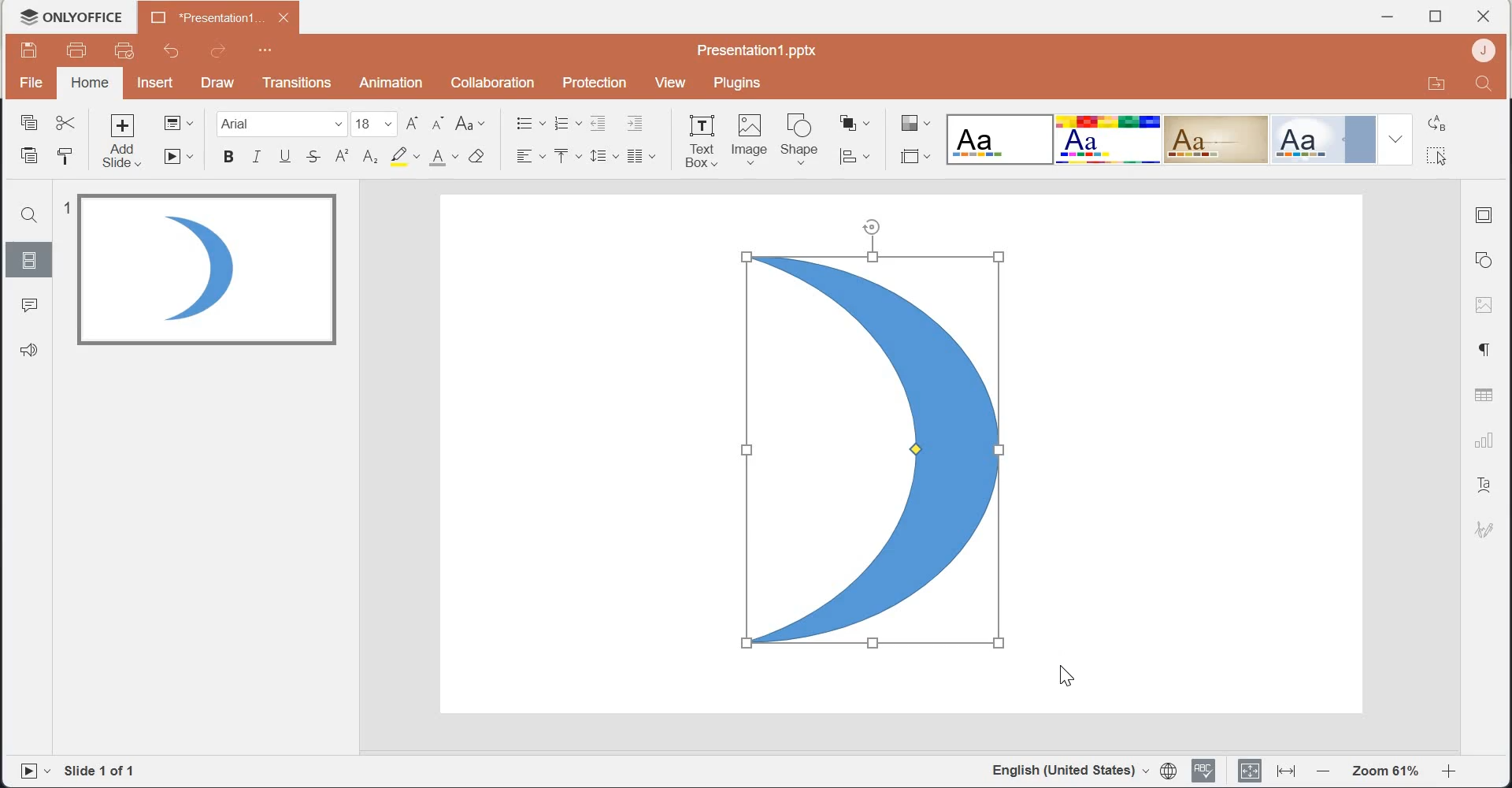 Image resolution: width=1512 pixels, height=788 pixels. I want to click on Add slide, so click(127, 142).